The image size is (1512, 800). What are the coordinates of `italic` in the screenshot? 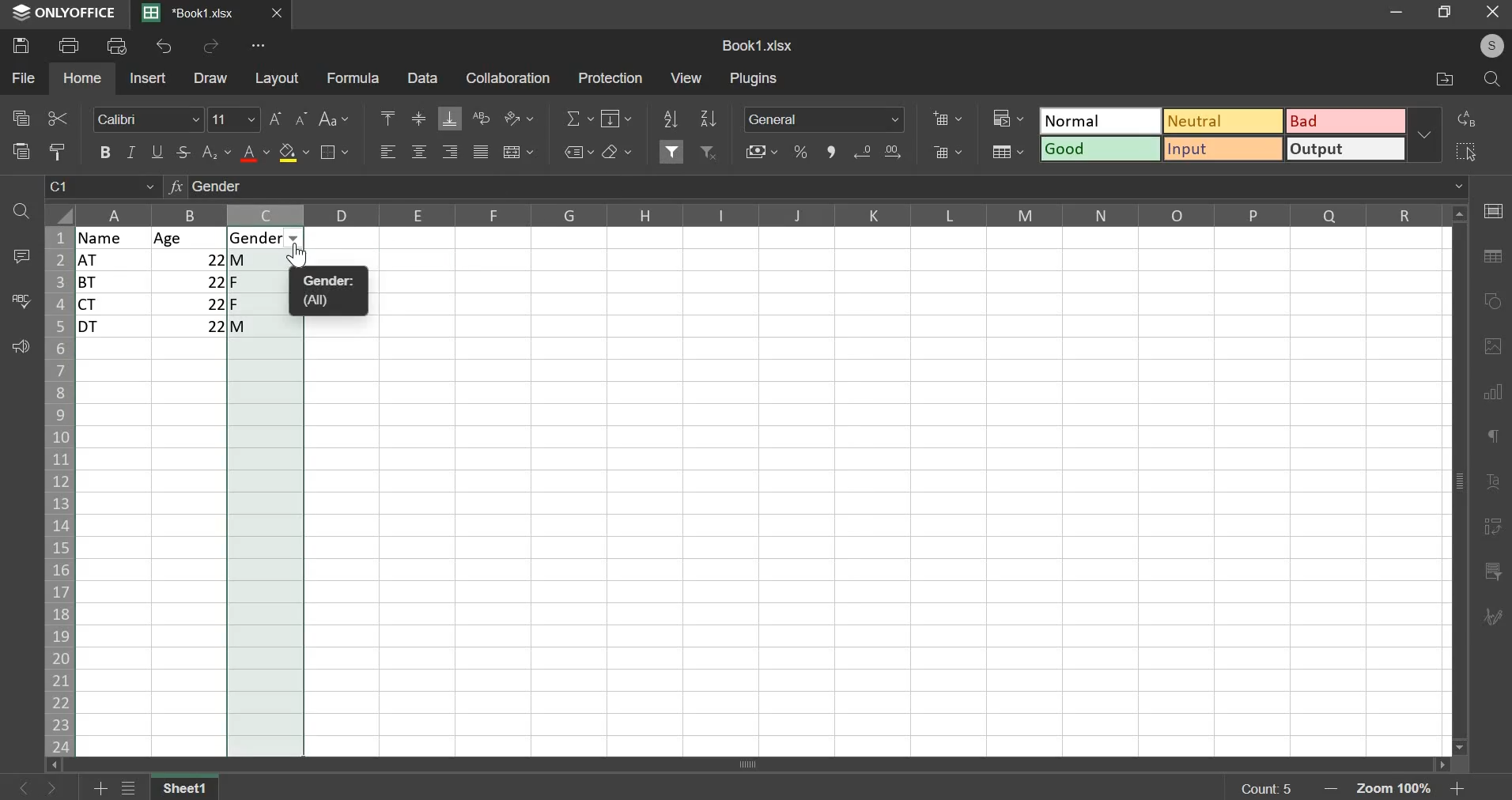 It's located at (130, 152).